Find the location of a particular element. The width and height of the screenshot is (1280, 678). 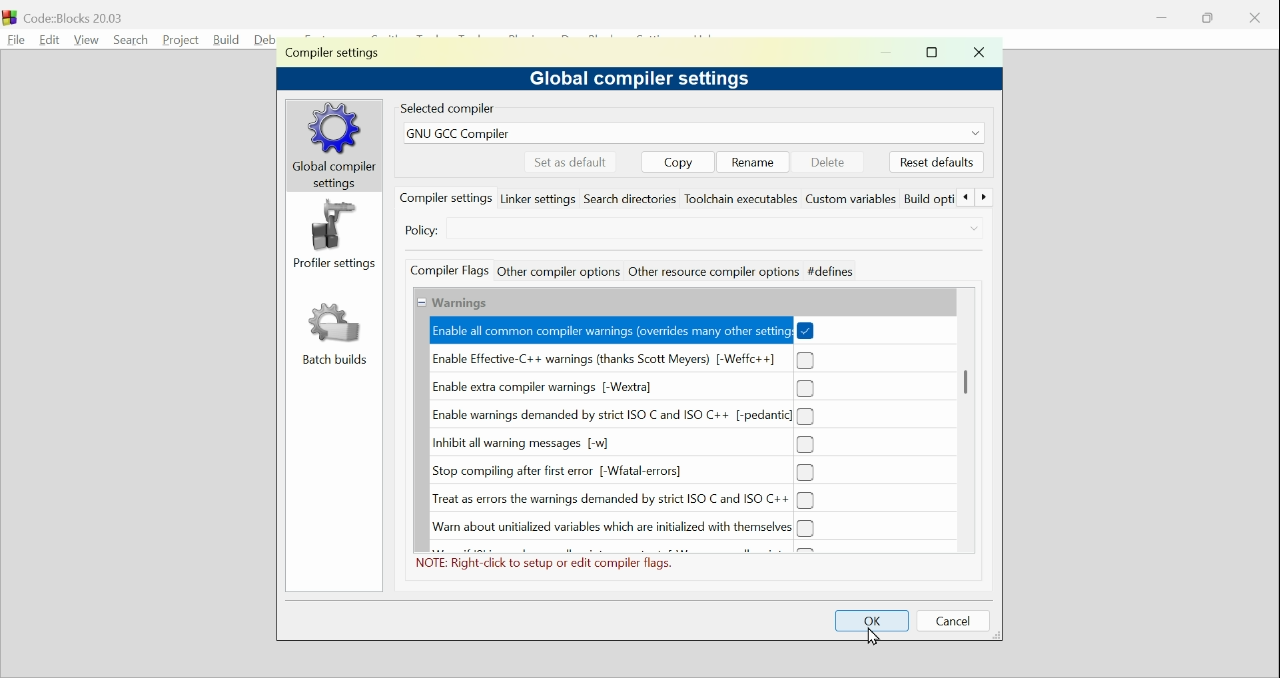

minimise is located at coordinates (886, 53).